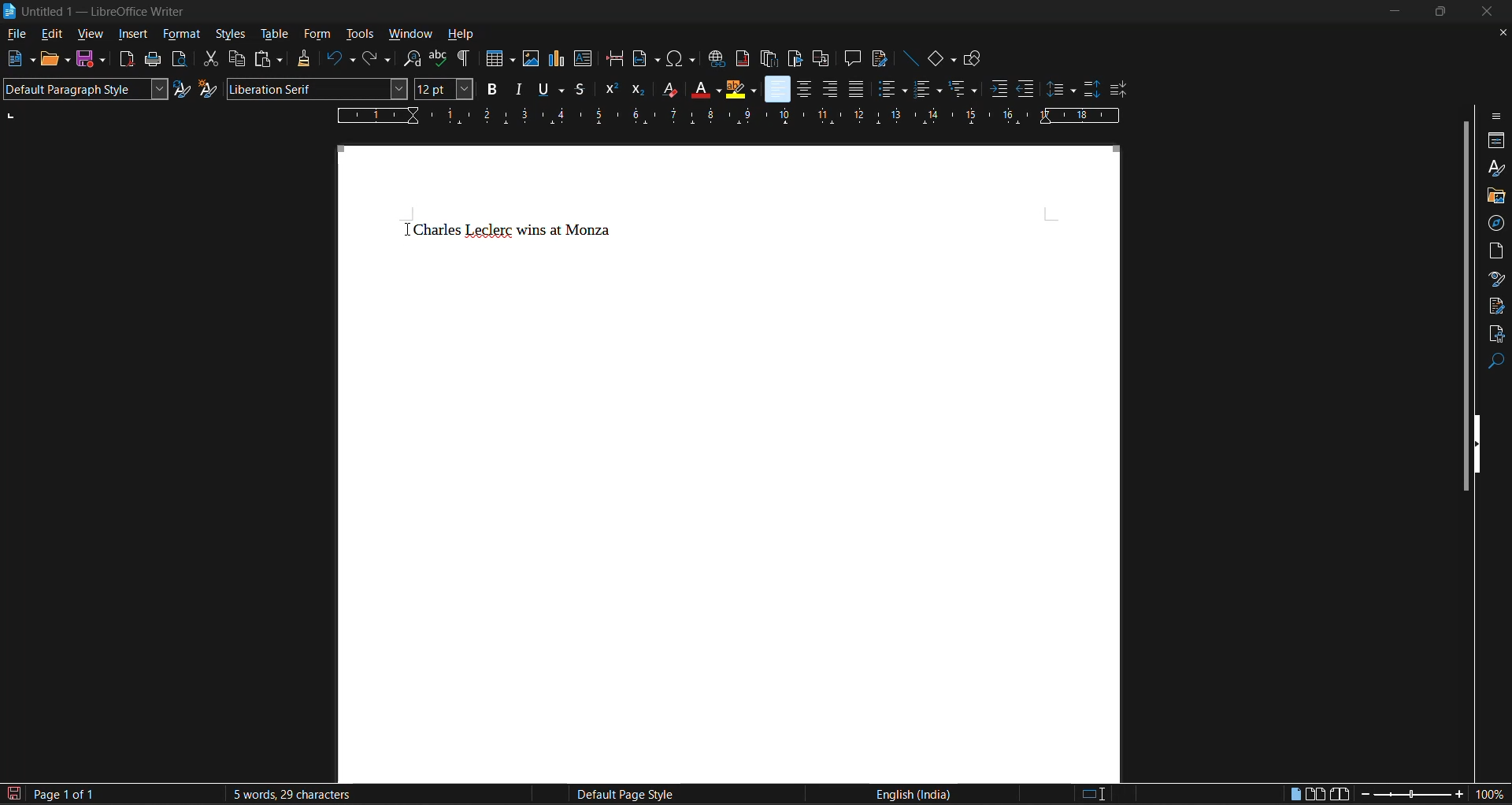 The width and height of the screenshot is (1512, 805). Describe the element at coordinates (702, 88) in the screenshot. I see `font color` at that location.